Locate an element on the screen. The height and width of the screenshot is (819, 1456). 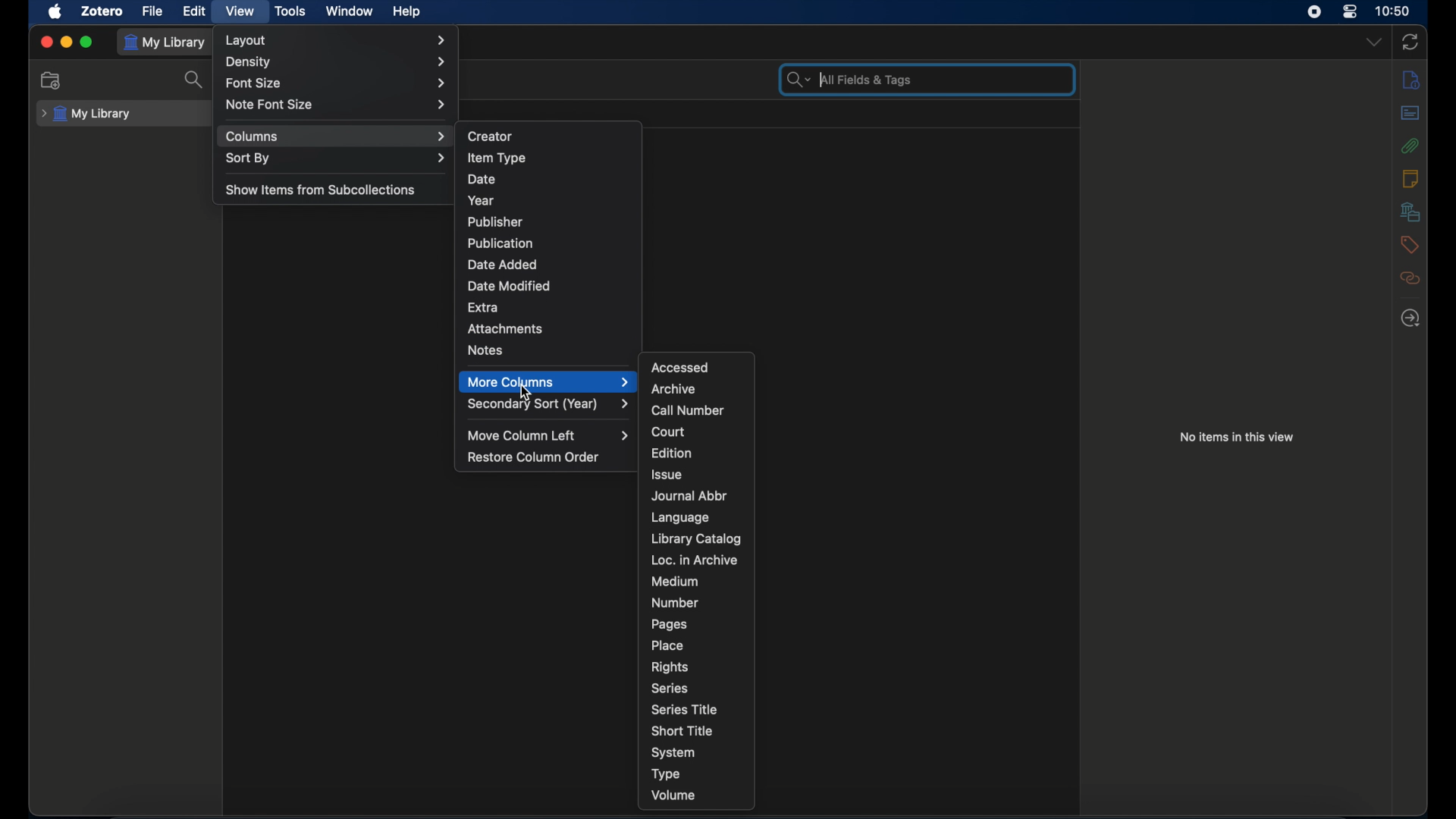
system is located at coordinates (673, 753).